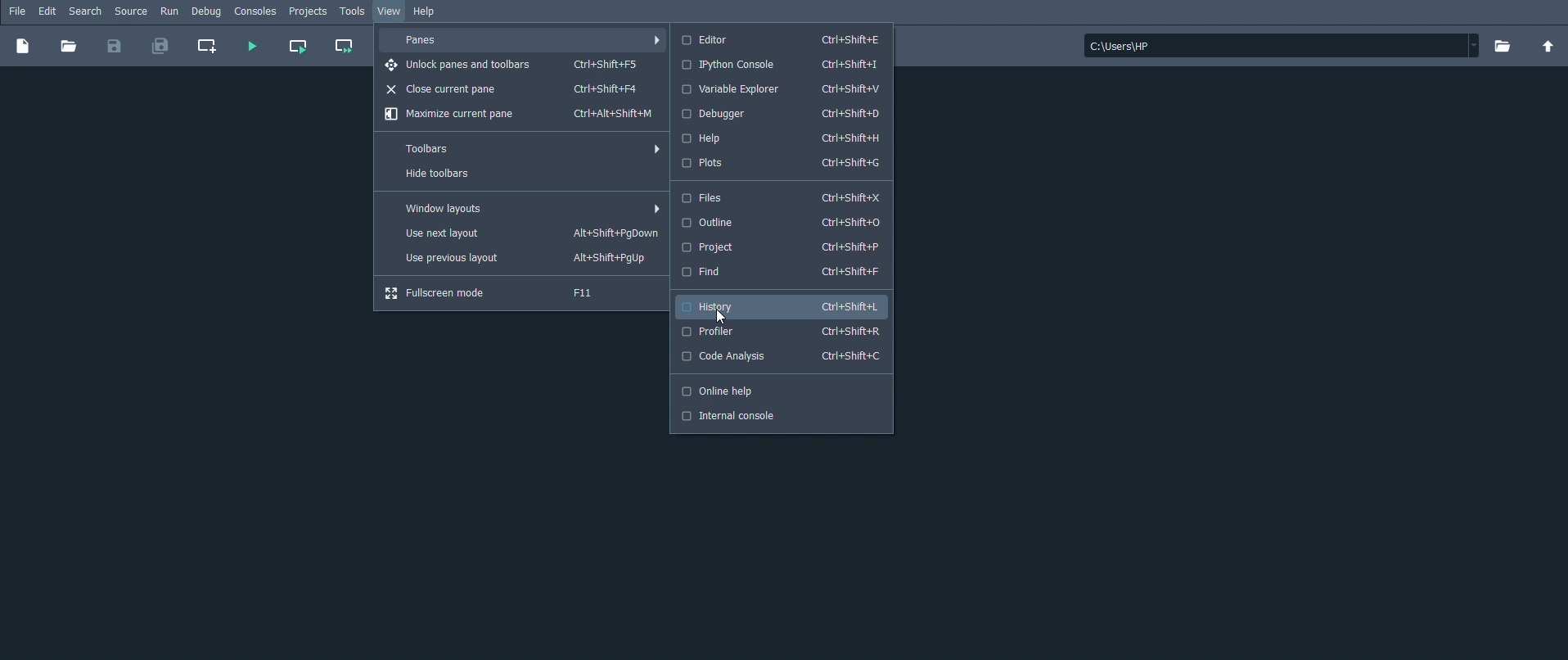 Image resolution: width=1568 pixels, height=660 pixels. What do you see at coordinates (206, 11) in the screenshot?
I see `Debug` at bounding box center [206, 11].